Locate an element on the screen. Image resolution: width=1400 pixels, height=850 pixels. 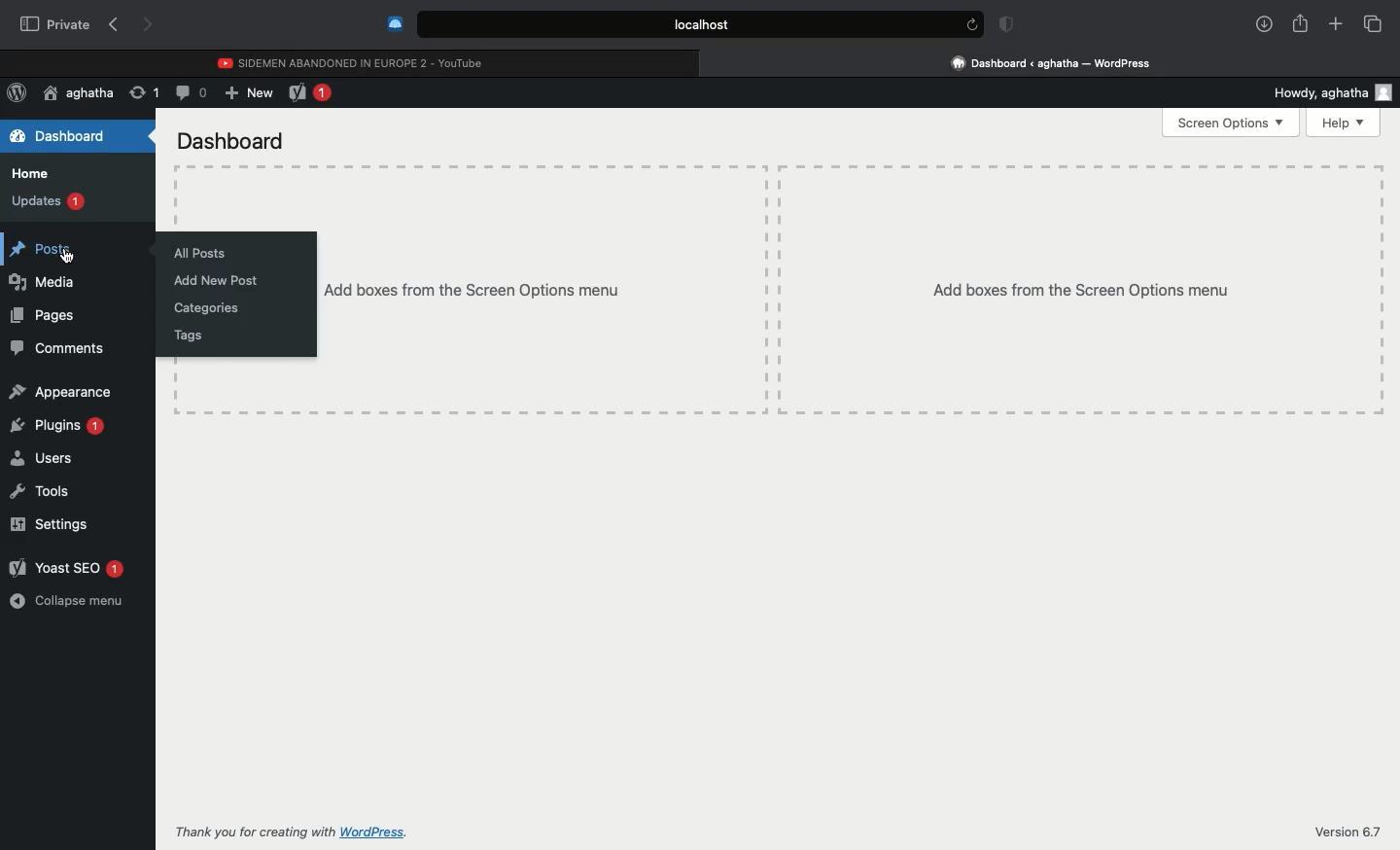
All posts is located at coordinates (200, 251).